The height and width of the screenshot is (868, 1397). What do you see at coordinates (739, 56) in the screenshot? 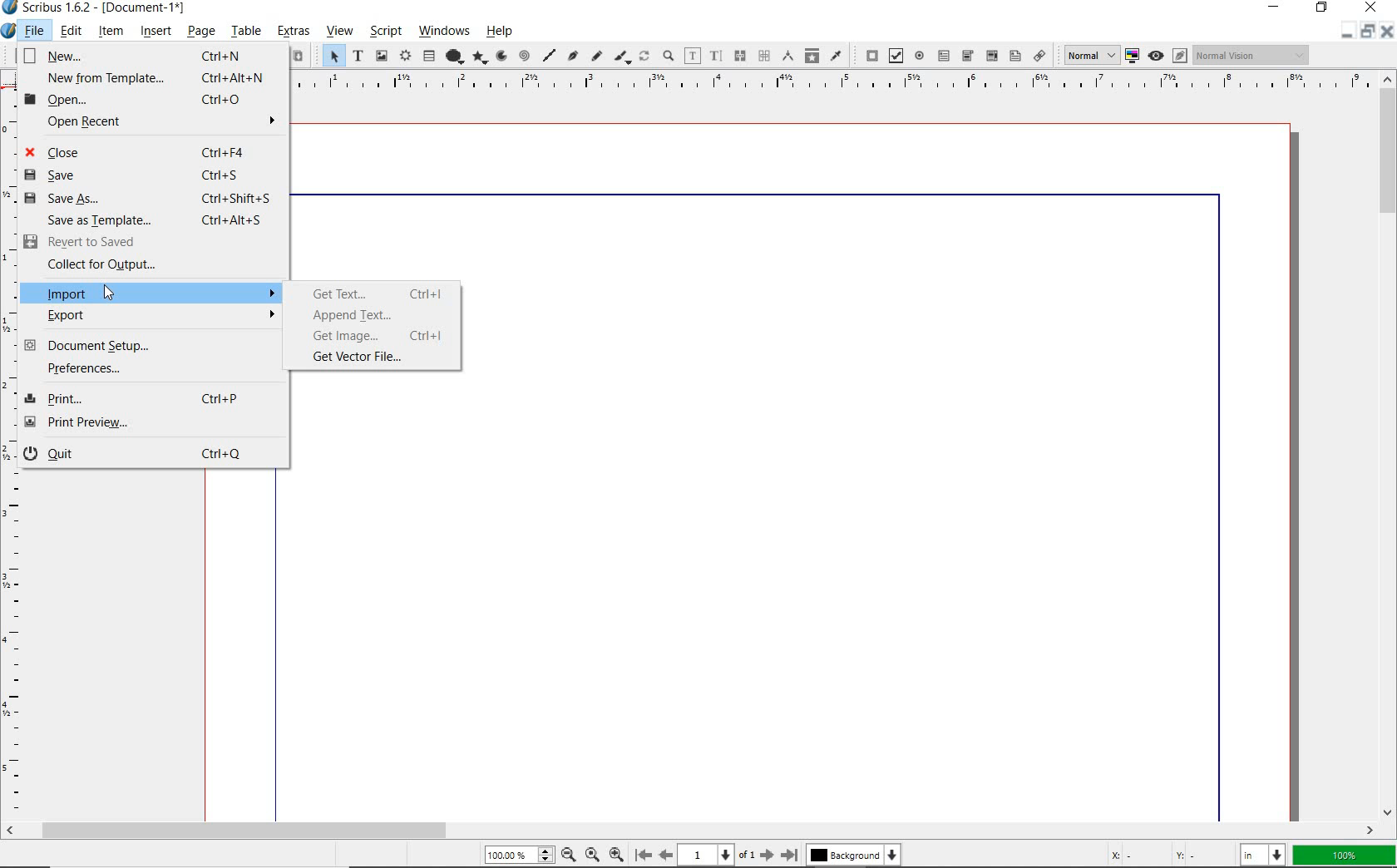
I see `link text frames` at bounding box center [739, 56].